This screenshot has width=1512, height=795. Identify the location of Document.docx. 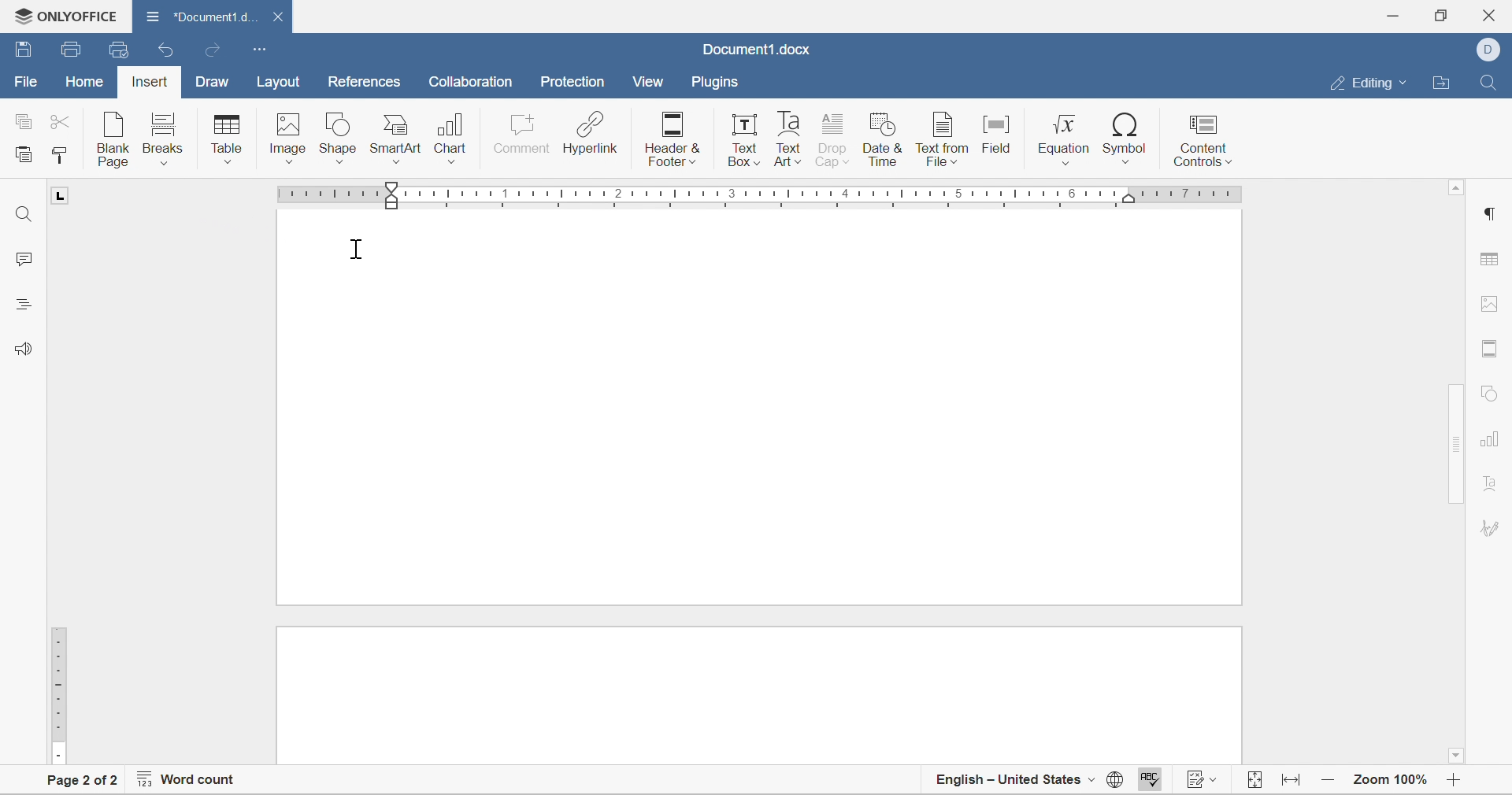
(754, 51).